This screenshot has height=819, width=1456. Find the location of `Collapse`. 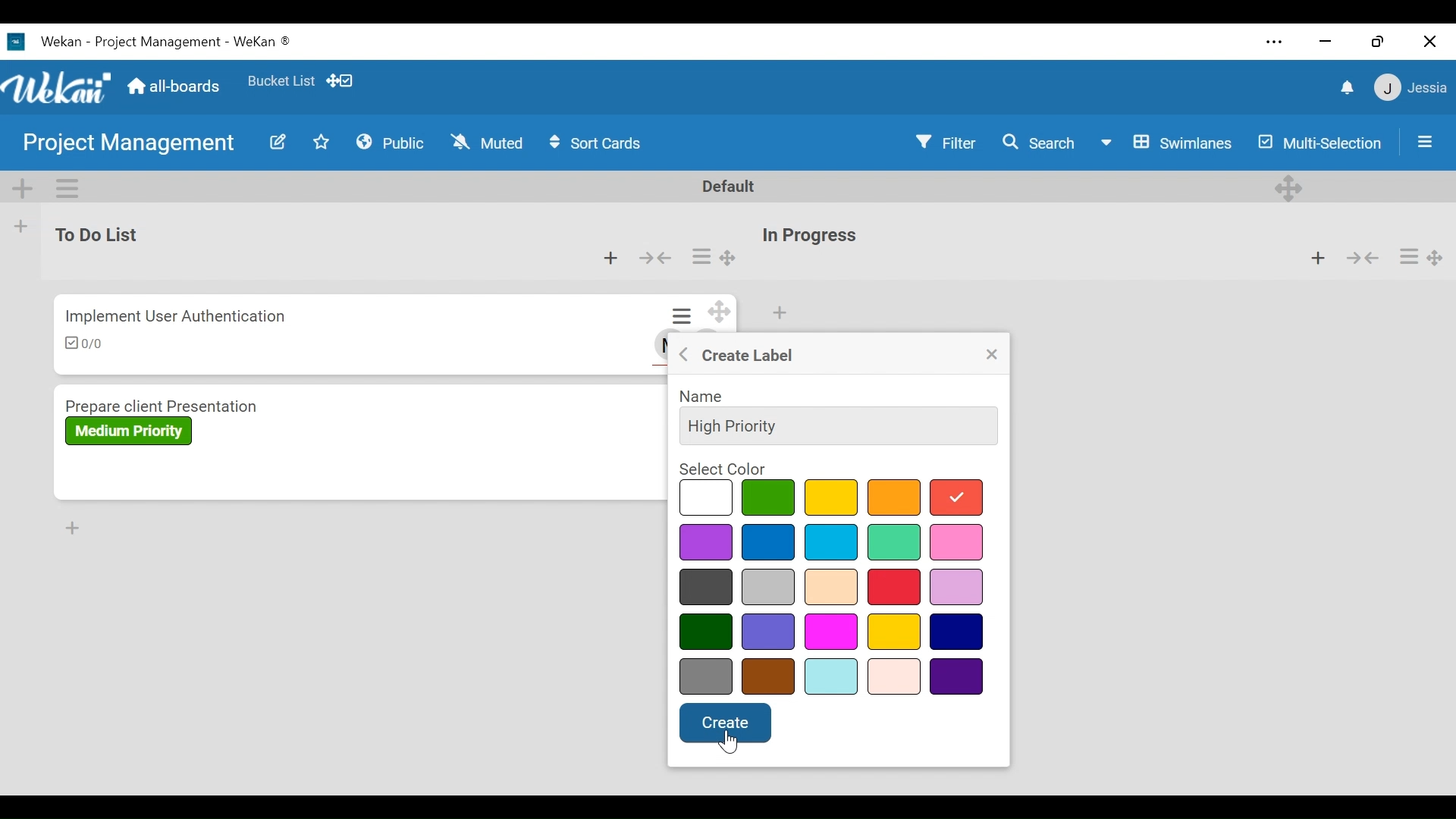

Collapse is located at coordinates (1361, 257).